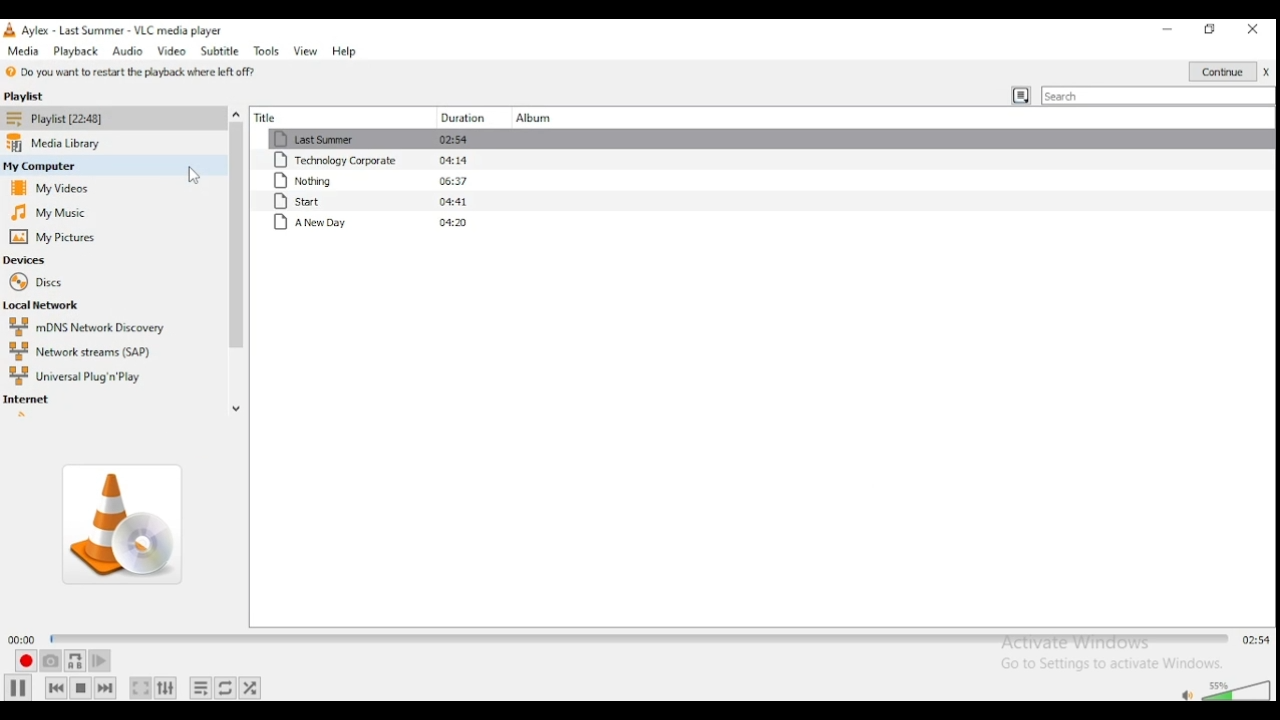 Image resolution: width=1280 pixels, height=720 pixels. Describe the element at coordinates (75, 661) in the screenshot. I see `loop between point A and point B continuously. Click to add point A` at that location.